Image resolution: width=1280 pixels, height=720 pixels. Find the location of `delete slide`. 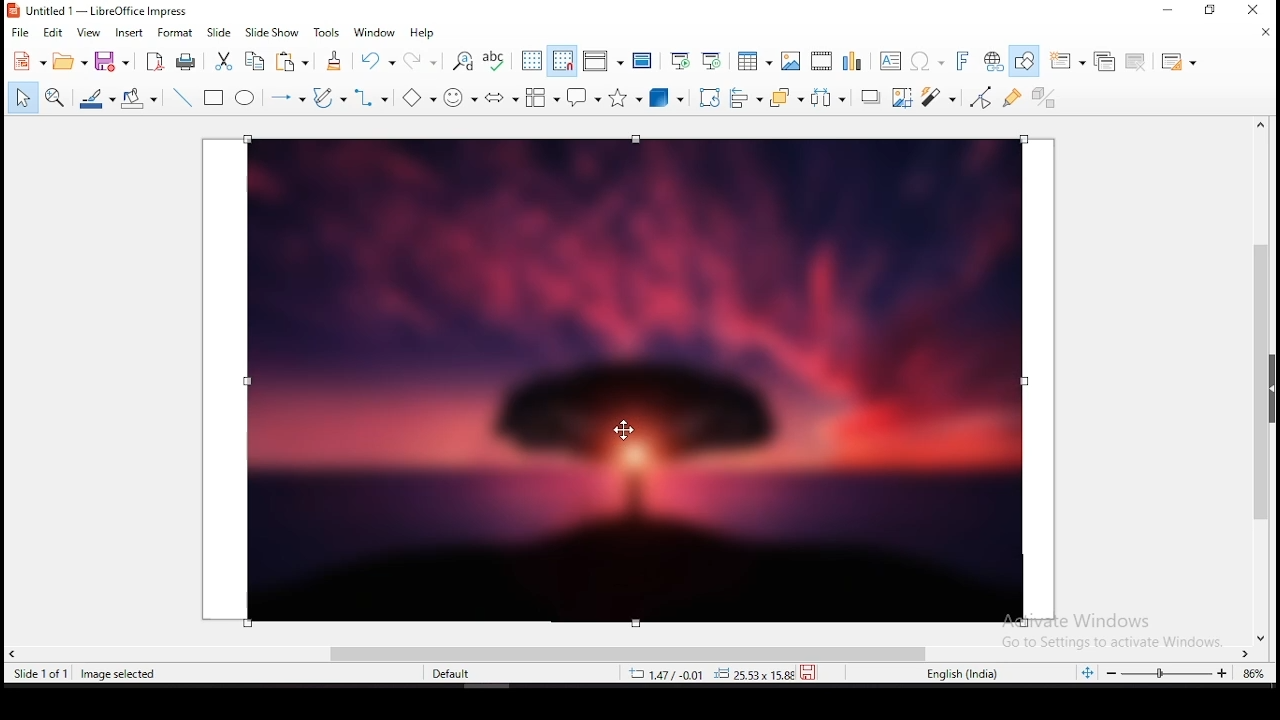

delete slide is located at coordinates (1136, 61).